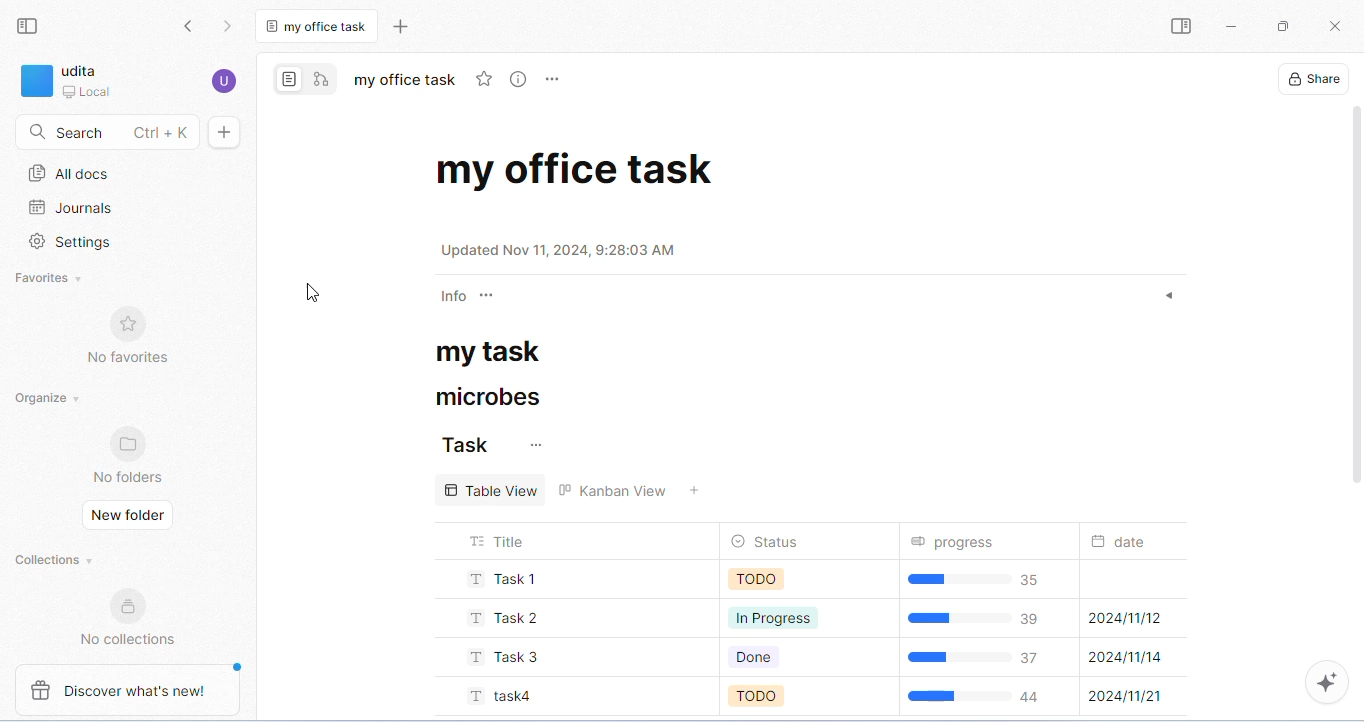 The height and width of the screenshot is (722, 1364). What do you see at coordinates (128, 615) in the screenshot?
I see `no collections` at bounding box center [128, 615].